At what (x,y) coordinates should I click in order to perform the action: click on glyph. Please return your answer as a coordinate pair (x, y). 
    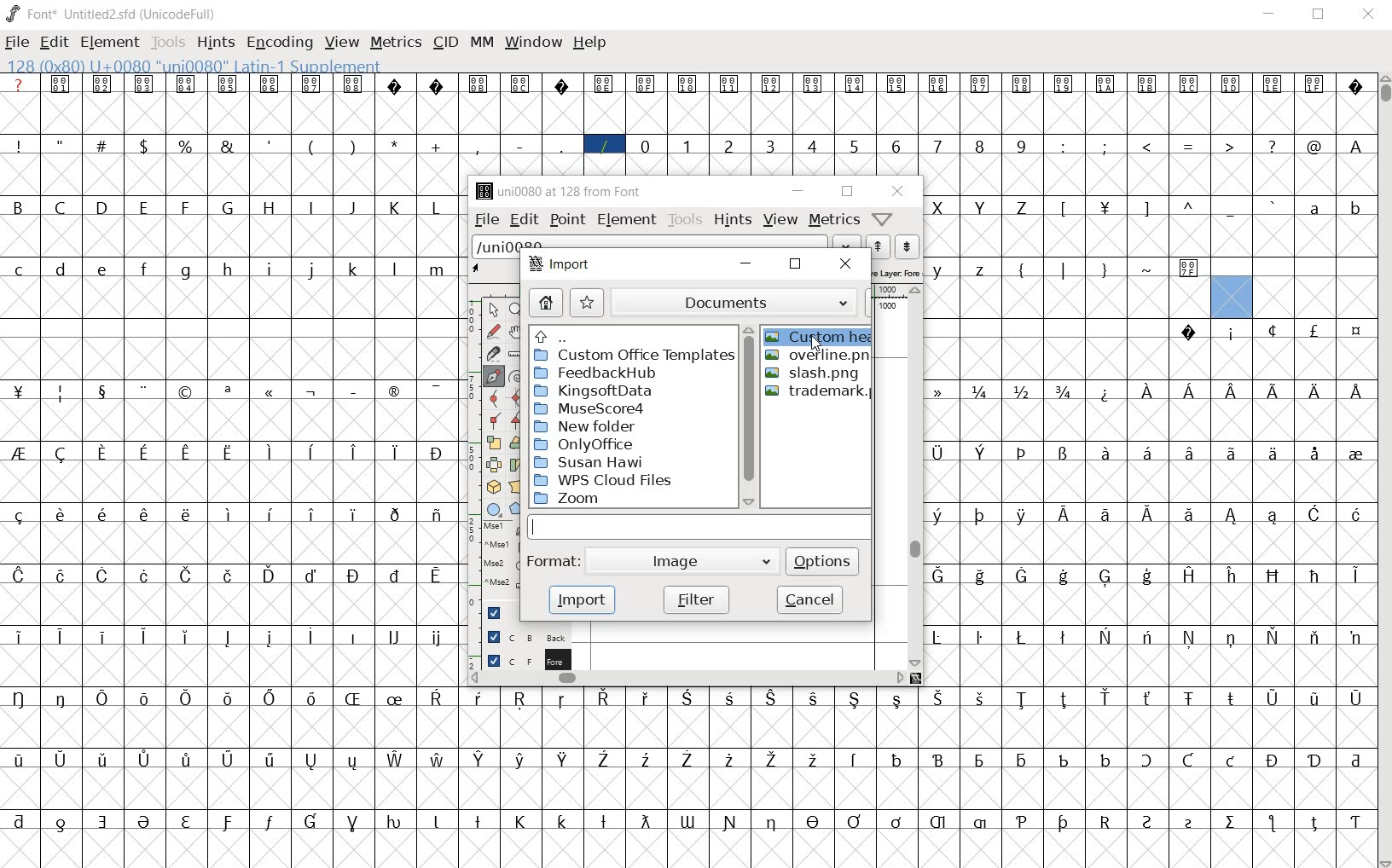
    Looking at the image, I should click on (395, 636).